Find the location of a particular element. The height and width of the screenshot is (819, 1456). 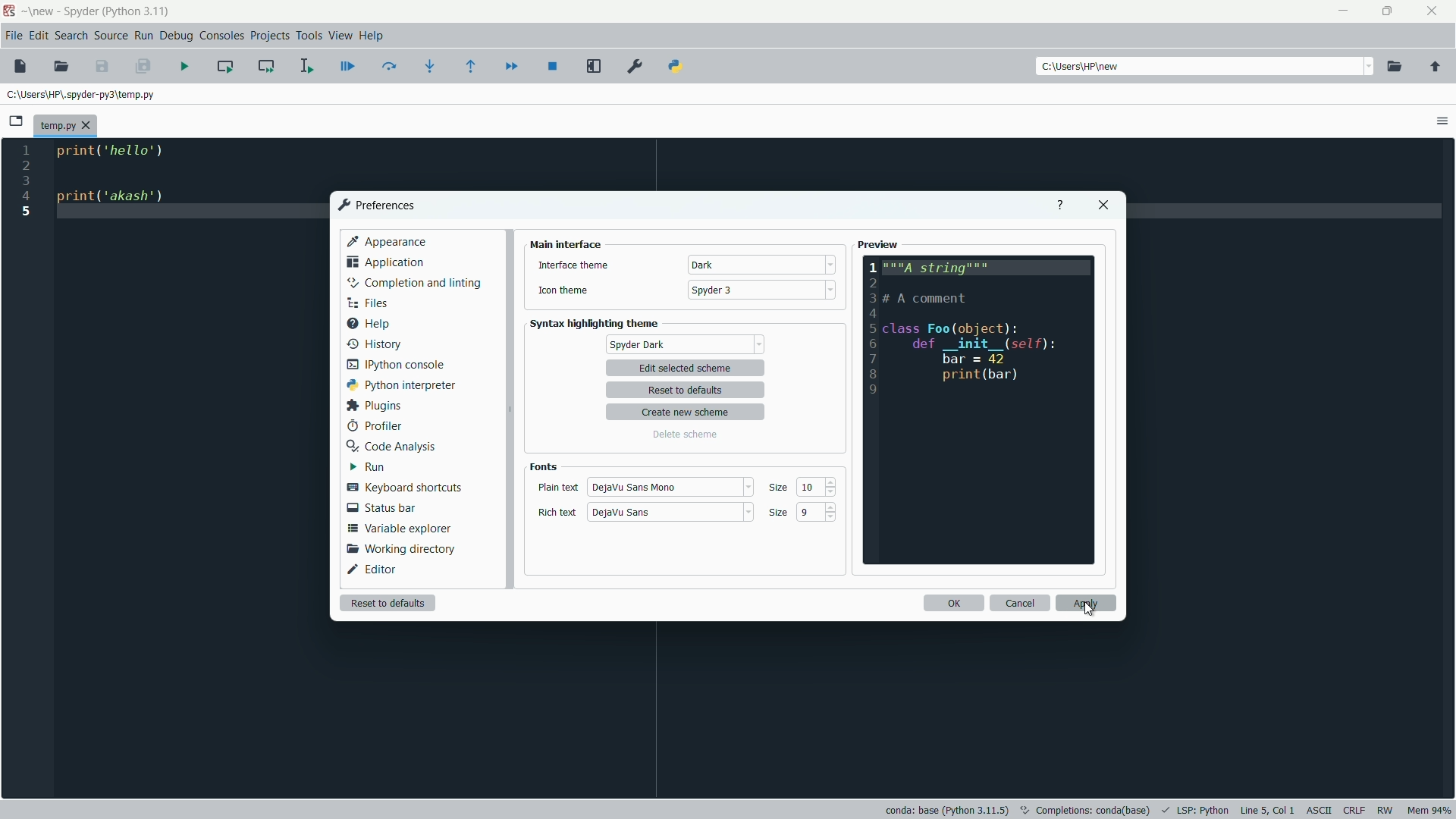

preview layout is located at coordinates (980, 410).